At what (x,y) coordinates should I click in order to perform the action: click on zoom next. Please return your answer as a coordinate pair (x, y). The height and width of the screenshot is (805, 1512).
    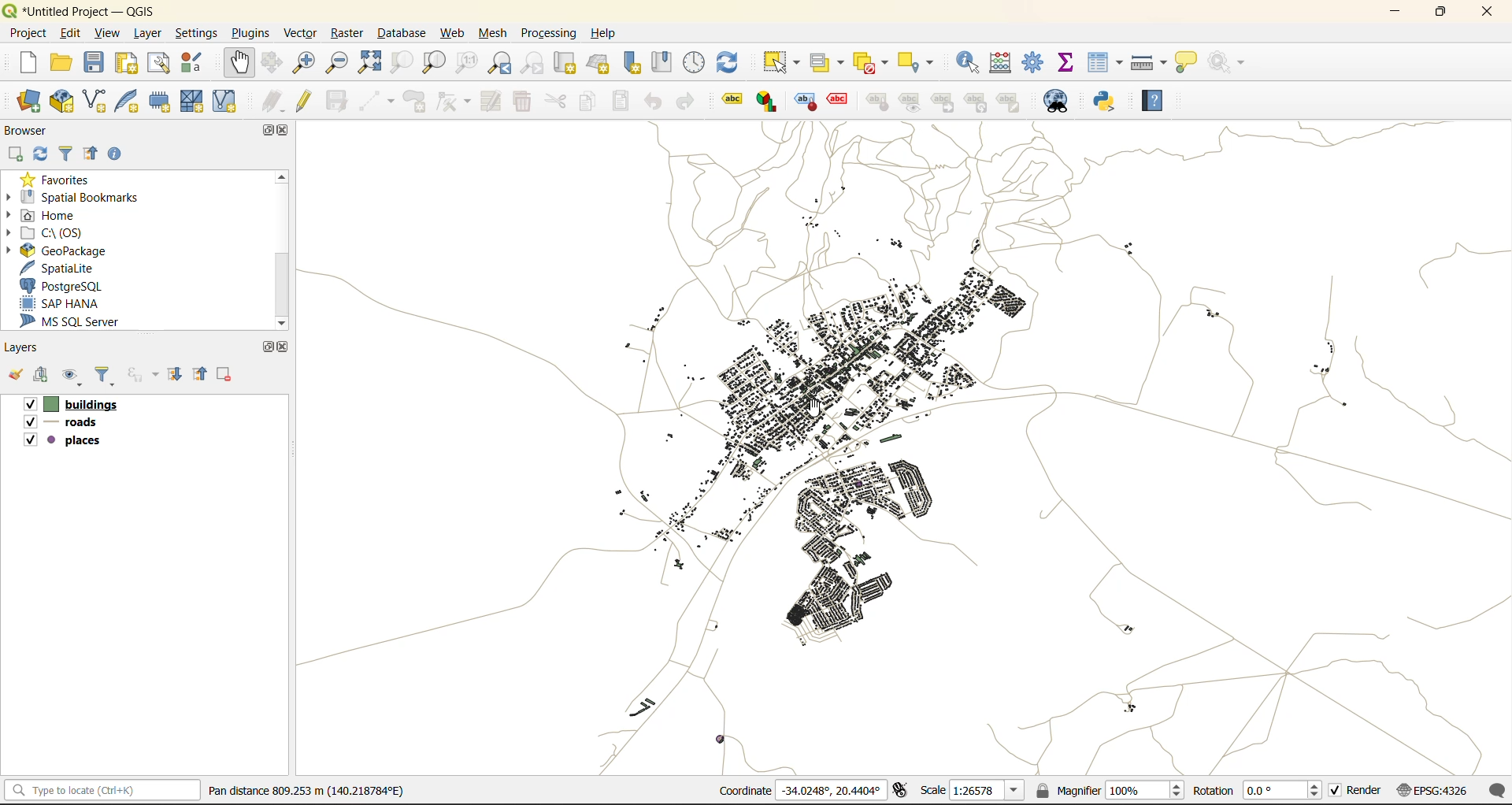
    Looking at the image, I should click on (532, 63).